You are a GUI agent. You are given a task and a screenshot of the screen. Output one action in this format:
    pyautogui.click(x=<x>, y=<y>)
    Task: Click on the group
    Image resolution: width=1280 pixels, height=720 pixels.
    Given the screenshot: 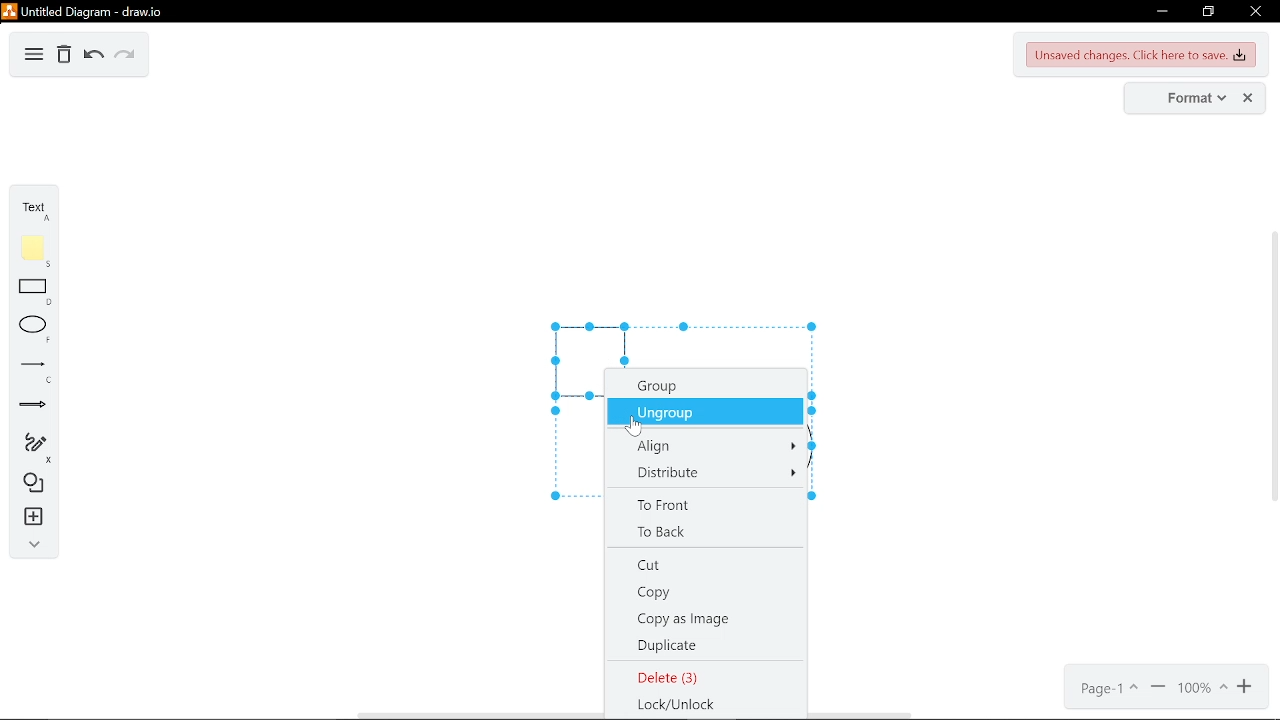 What is the action you would take?
    pyautogui.click(x=710, y=384)
    